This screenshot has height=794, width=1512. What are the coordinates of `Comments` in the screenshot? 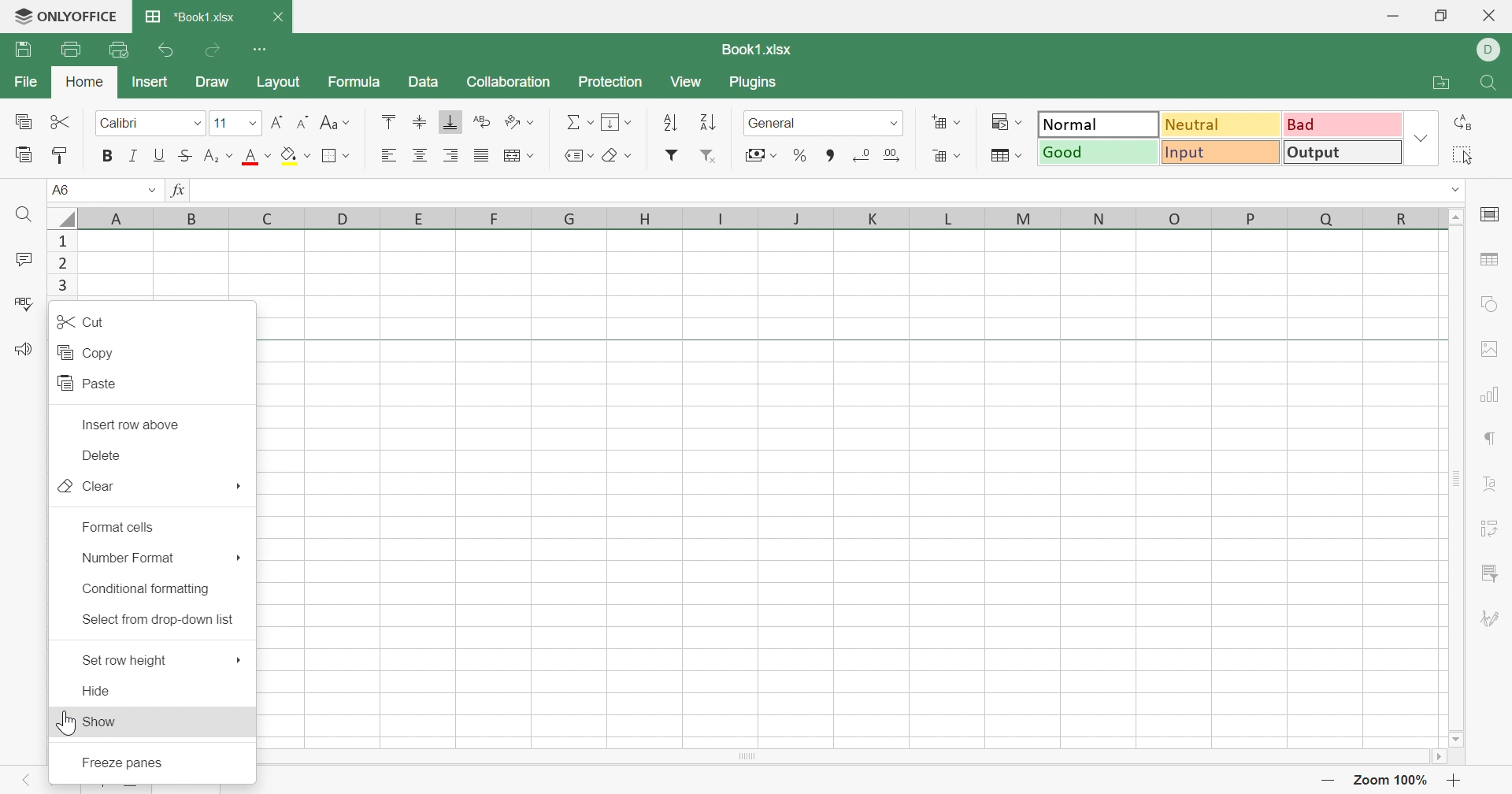 It's located at (21, 259).